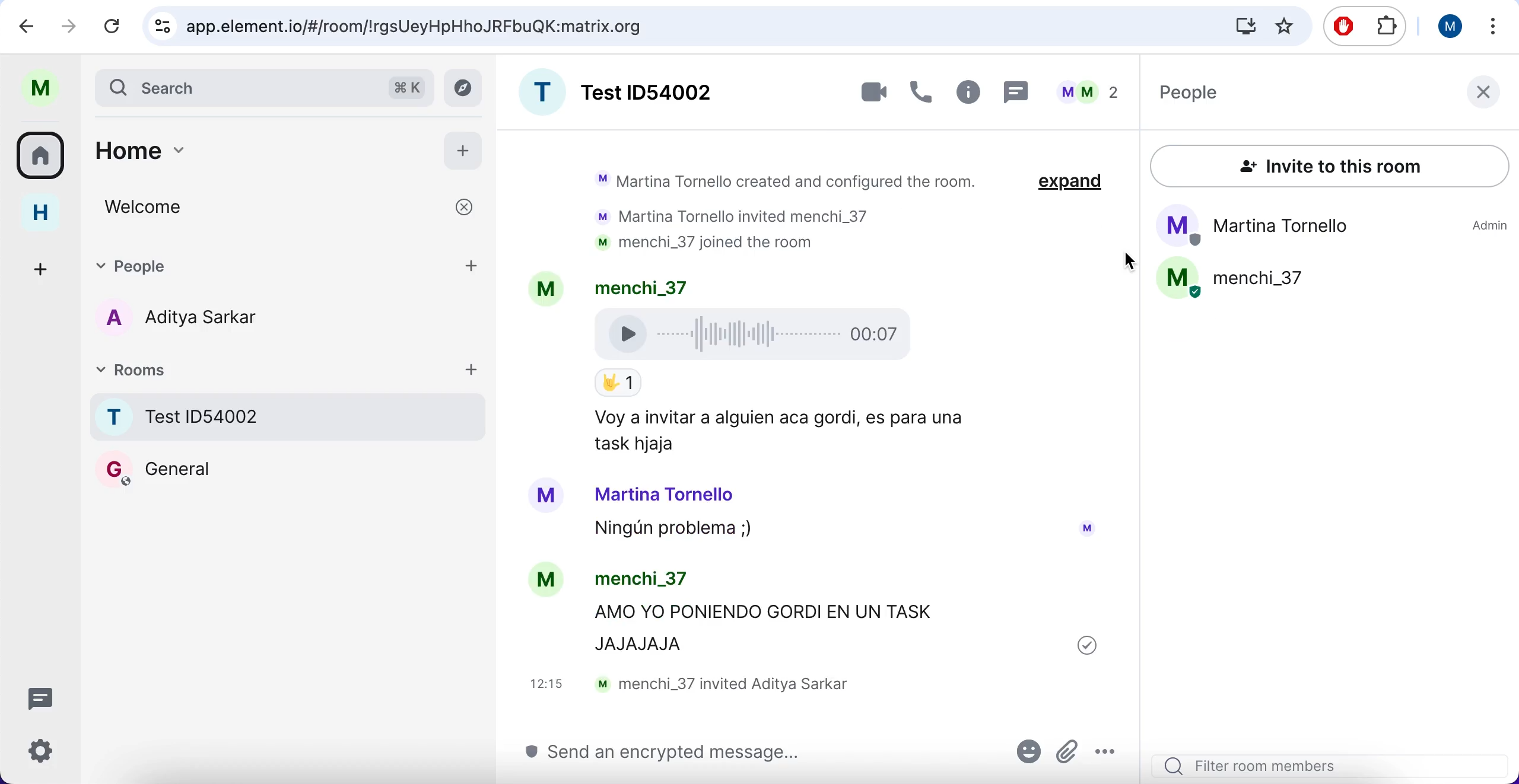 This screenshot has width=1519, height=784. I want to click on videocall, so click(869, 93).